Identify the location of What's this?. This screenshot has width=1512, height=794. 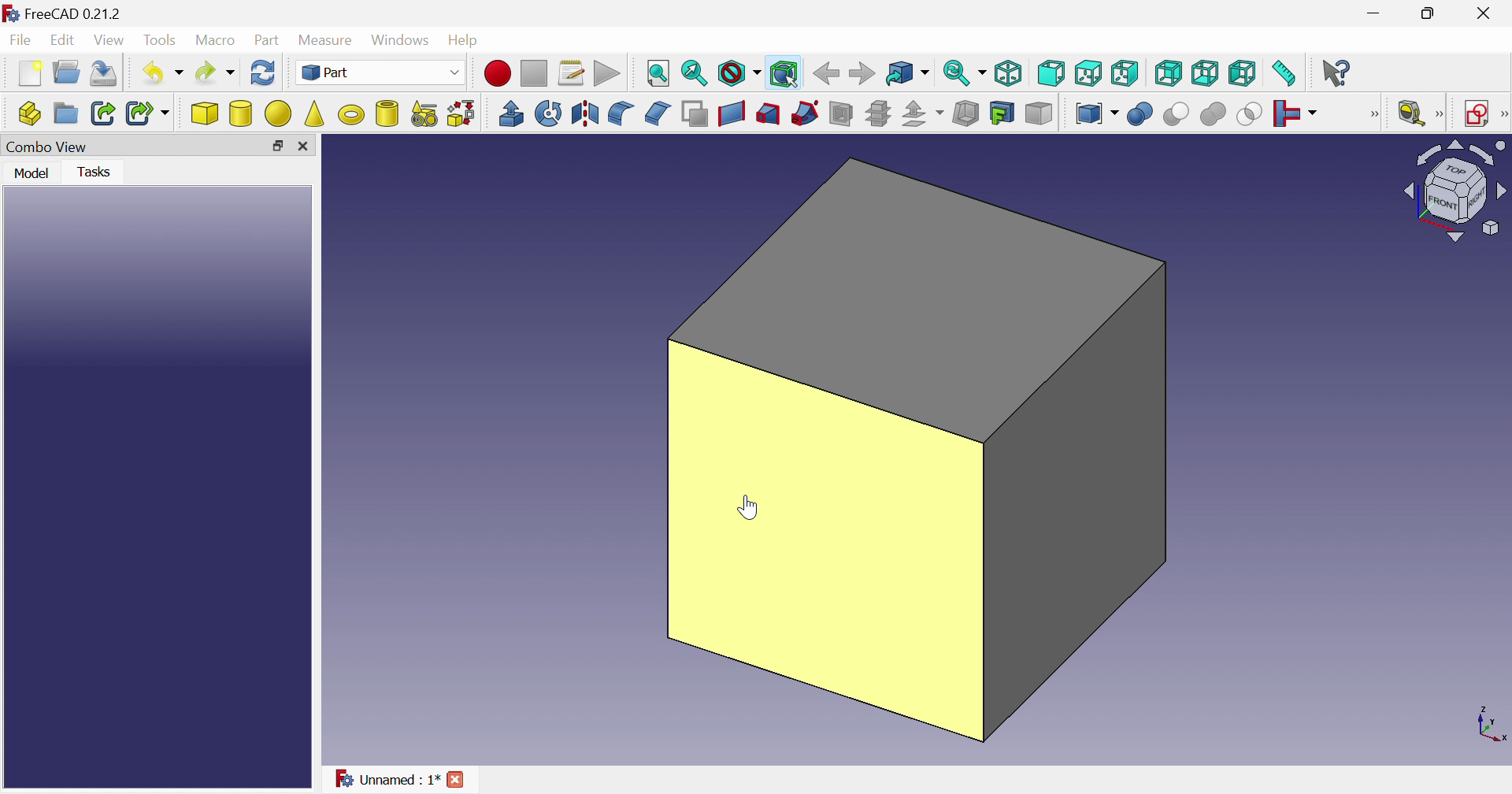
(1338, 72).